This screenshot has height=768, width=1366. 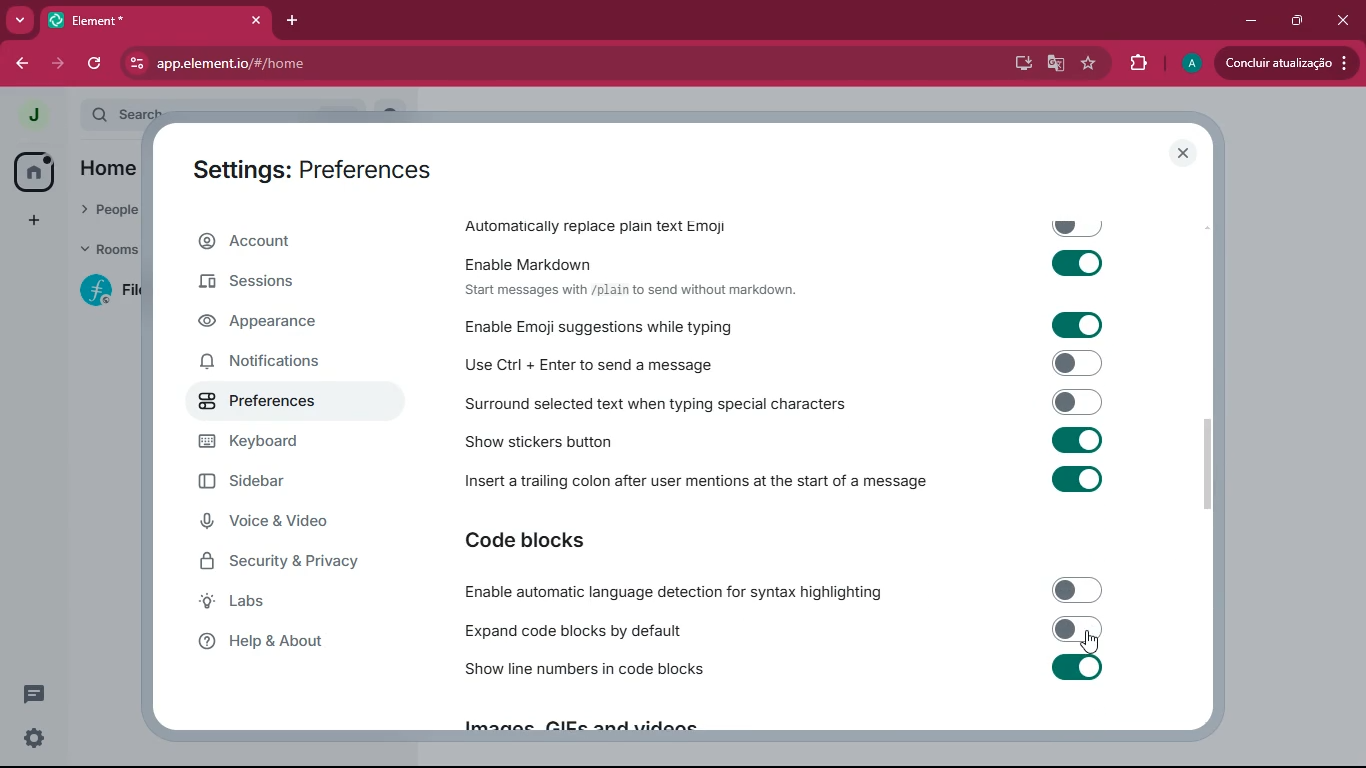 I want to click on minimize, so click(x=1250, y=21).